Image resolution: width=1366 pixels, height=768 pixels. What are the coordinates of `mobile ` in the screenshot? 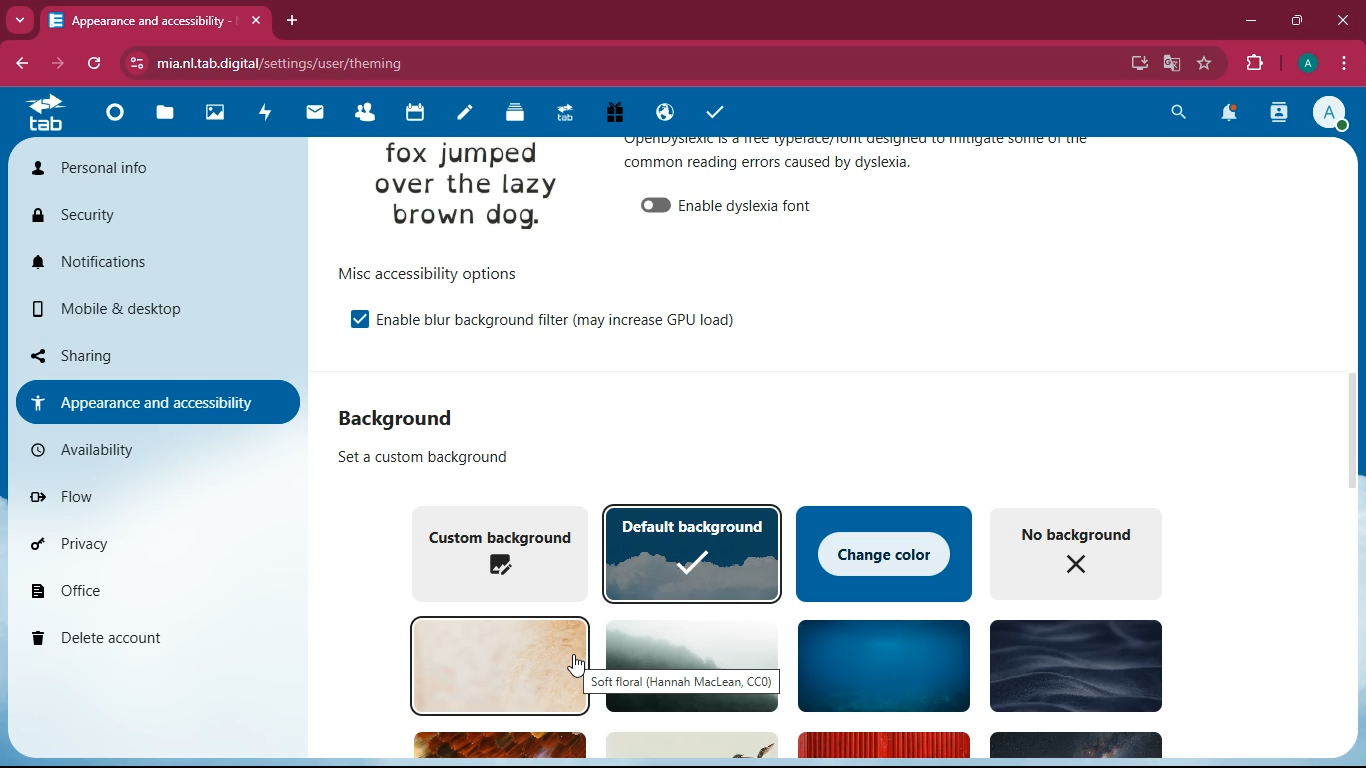 It's located at (155, 311).